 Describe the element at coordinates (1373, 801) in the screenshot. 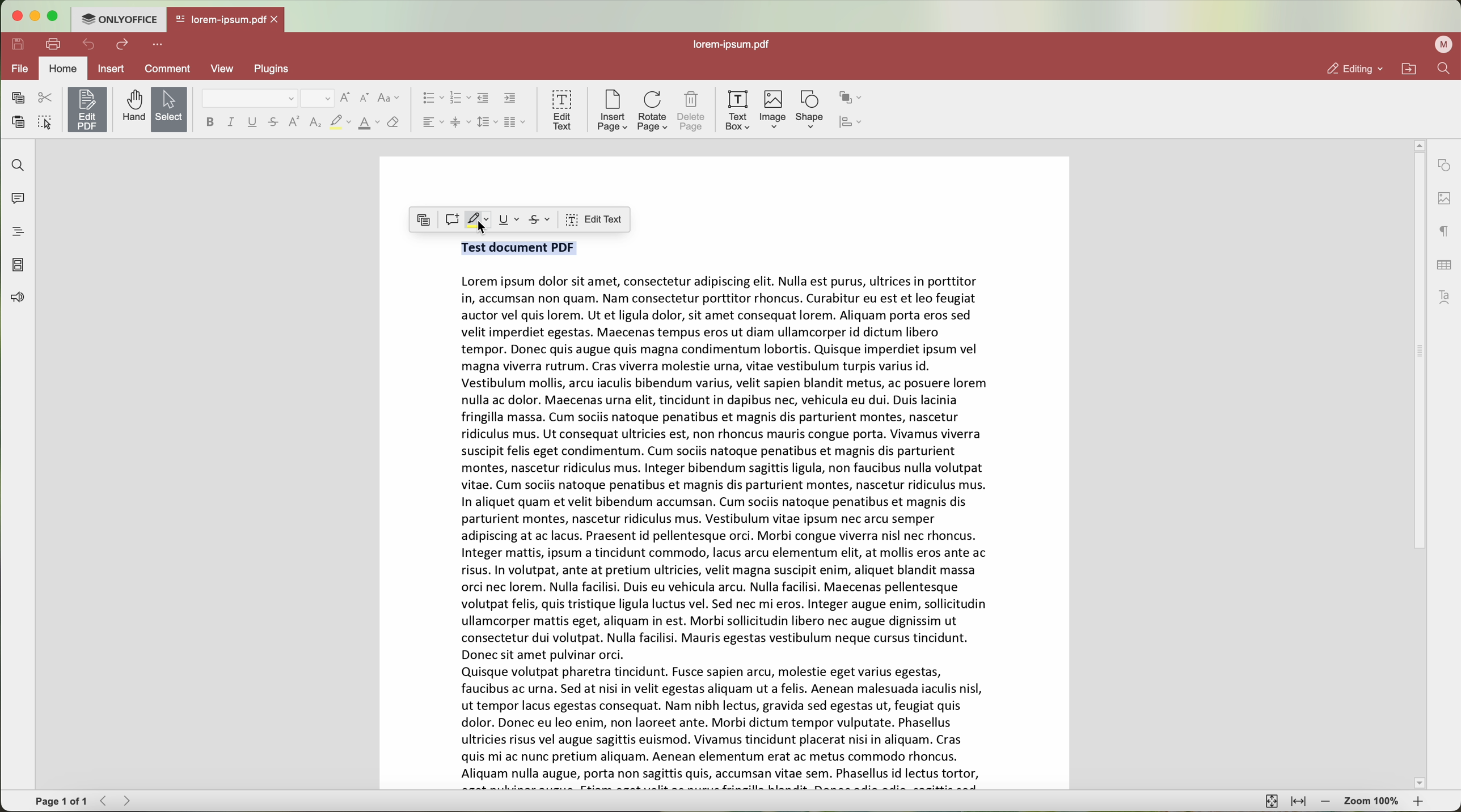

I see `zoom 100%` at that location.